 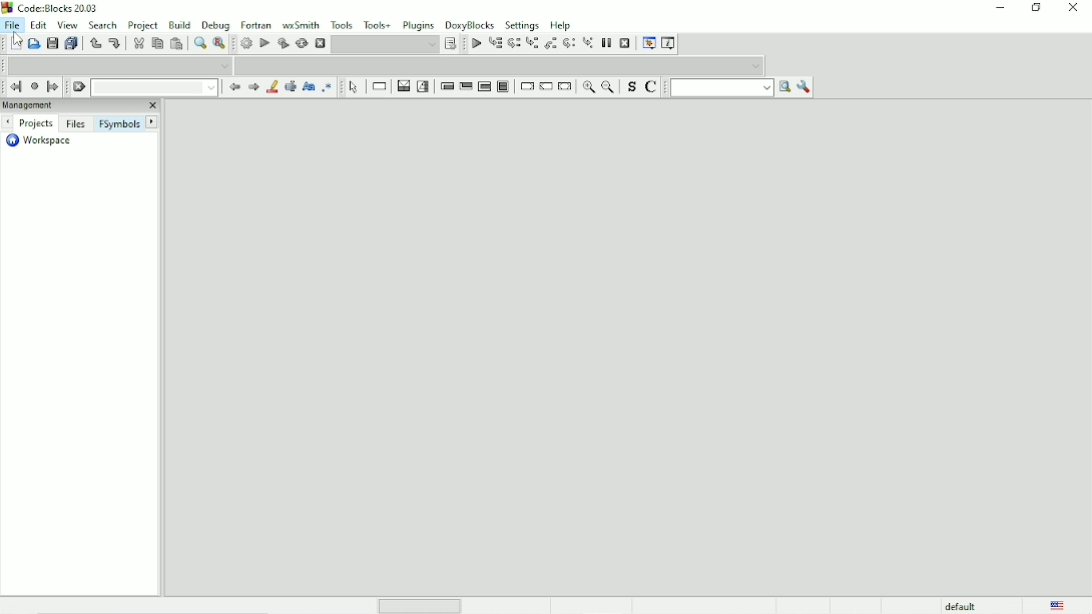 I want to click on Zoom in, so click(x=588, y=87).